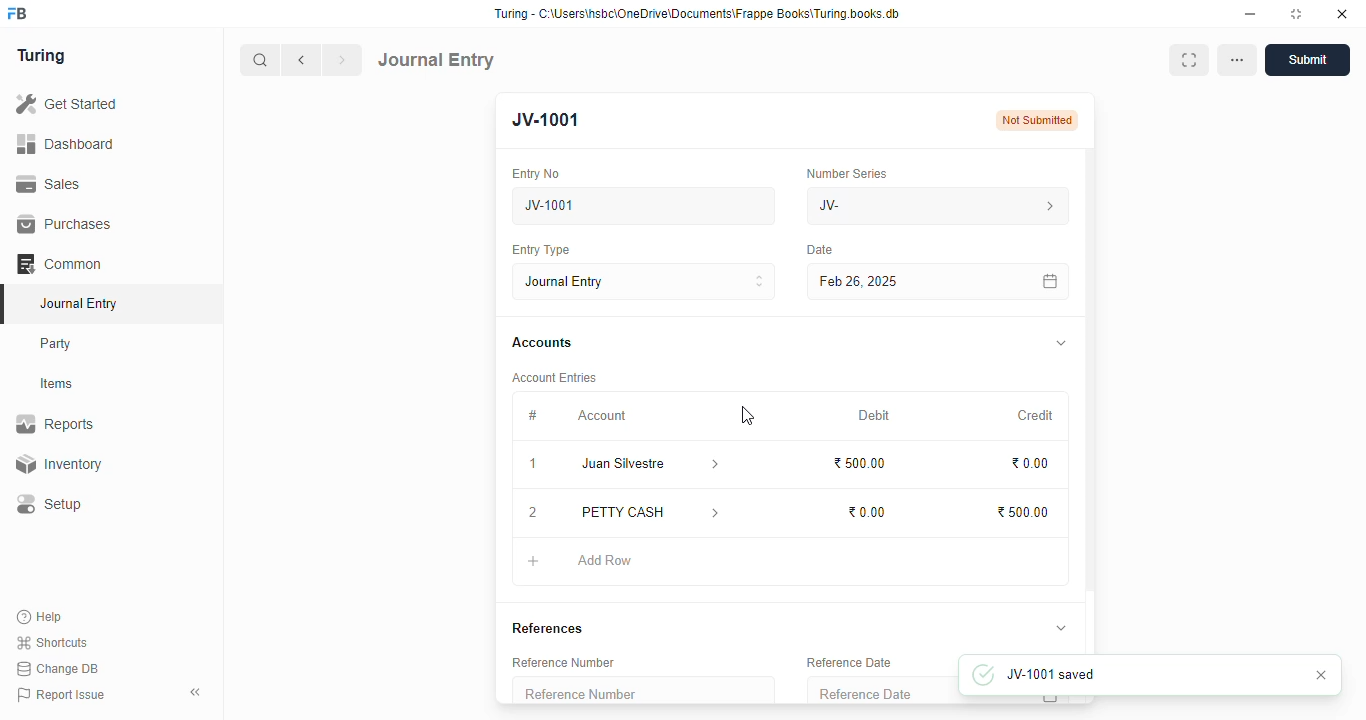 The height and width of the screenshot is (720, 1366). What do you see at coordinates (261, 60) in the screenshot?
I see `search` at bounding box center [261, 60].